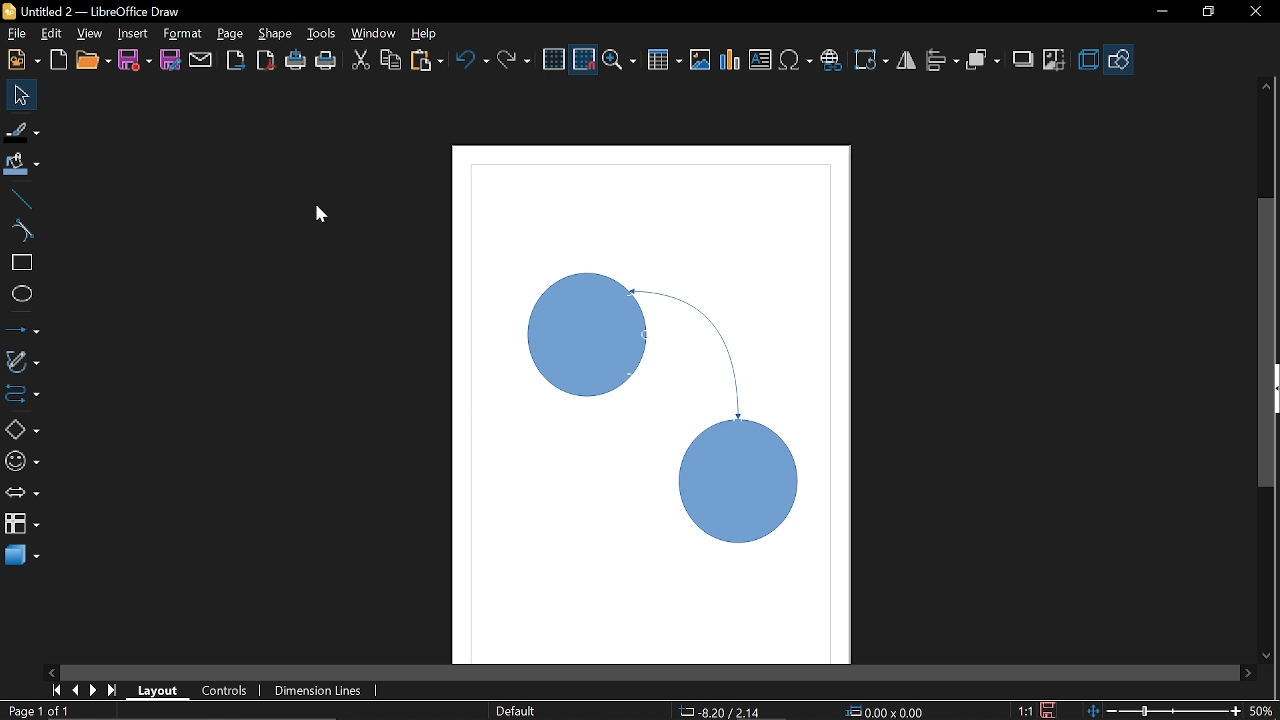  What do you see at coordinates (21, 427) in the screenshot?
I see `Basic shapes` at bounding box center [21, 427].